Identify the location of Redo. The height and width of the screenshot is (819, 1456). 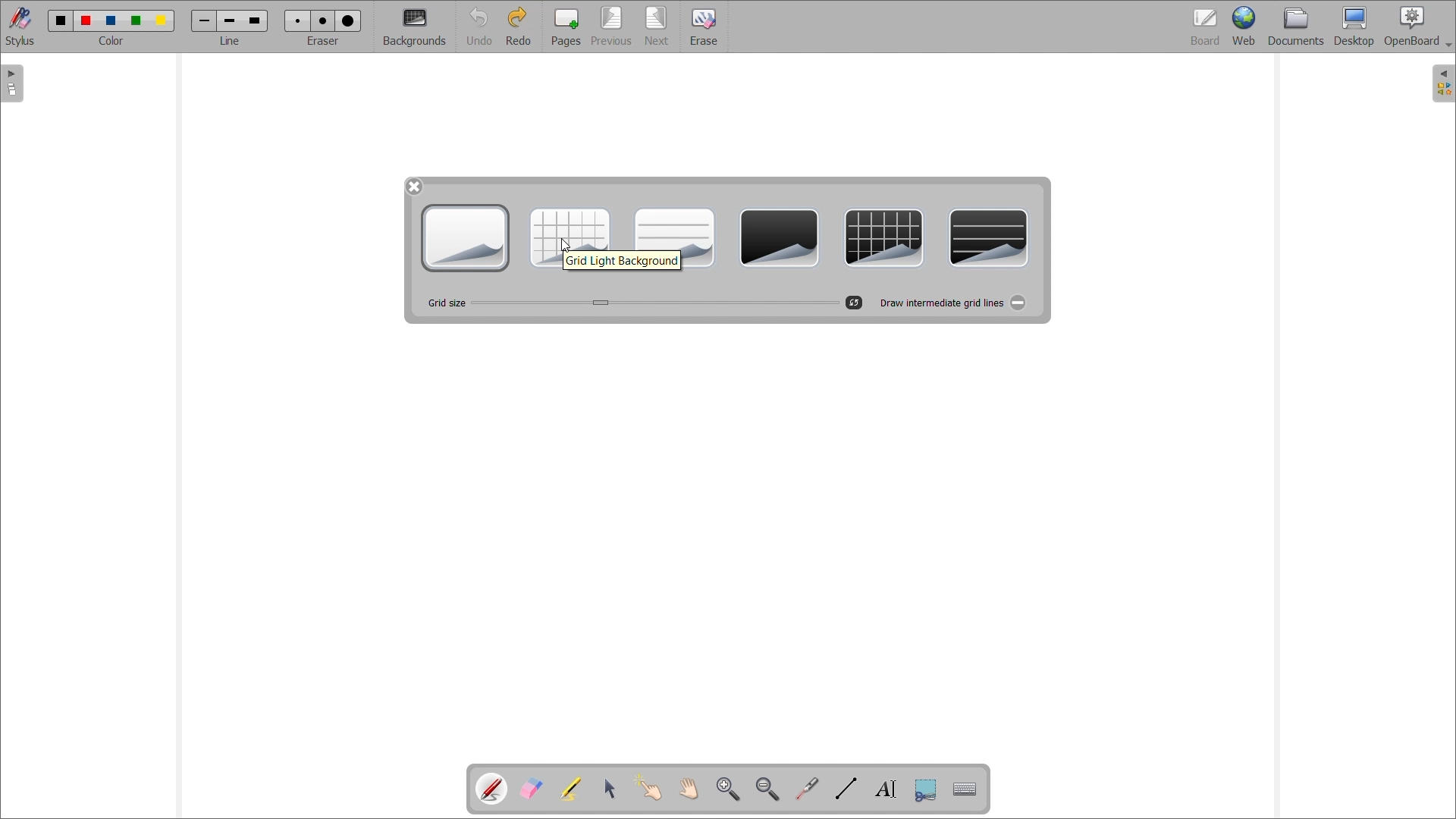
(519, 26).